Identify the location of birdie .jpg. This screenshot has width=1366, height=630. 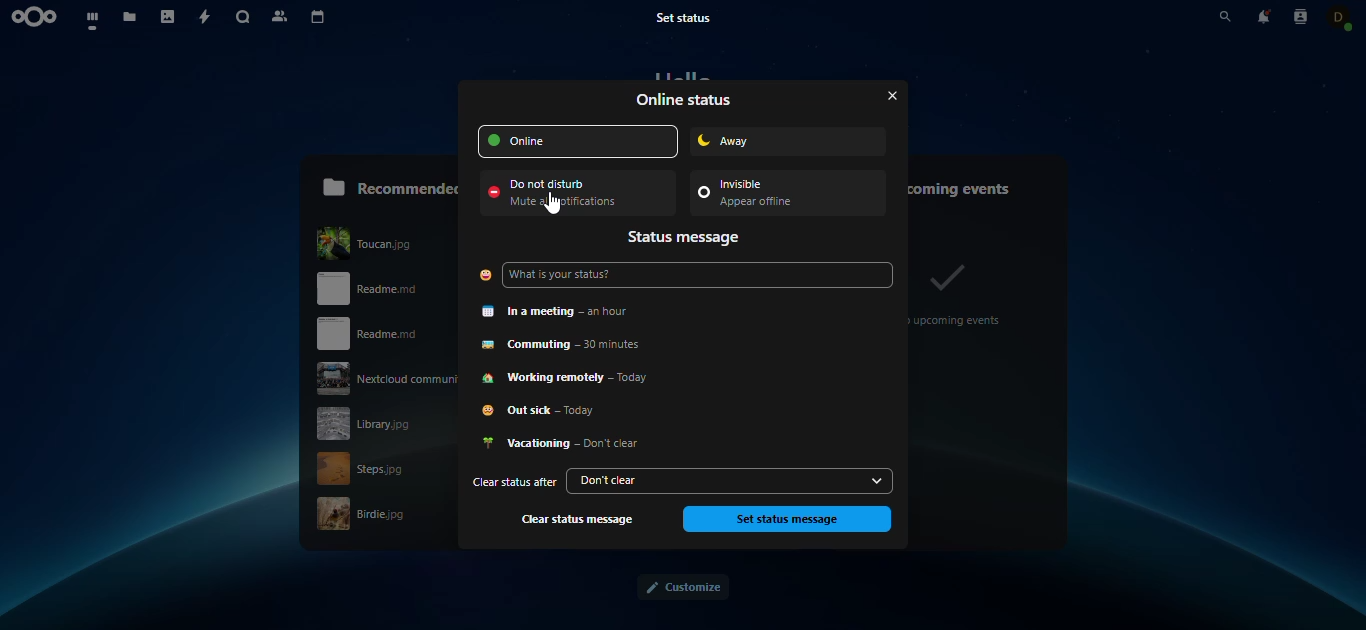
(404, 514).